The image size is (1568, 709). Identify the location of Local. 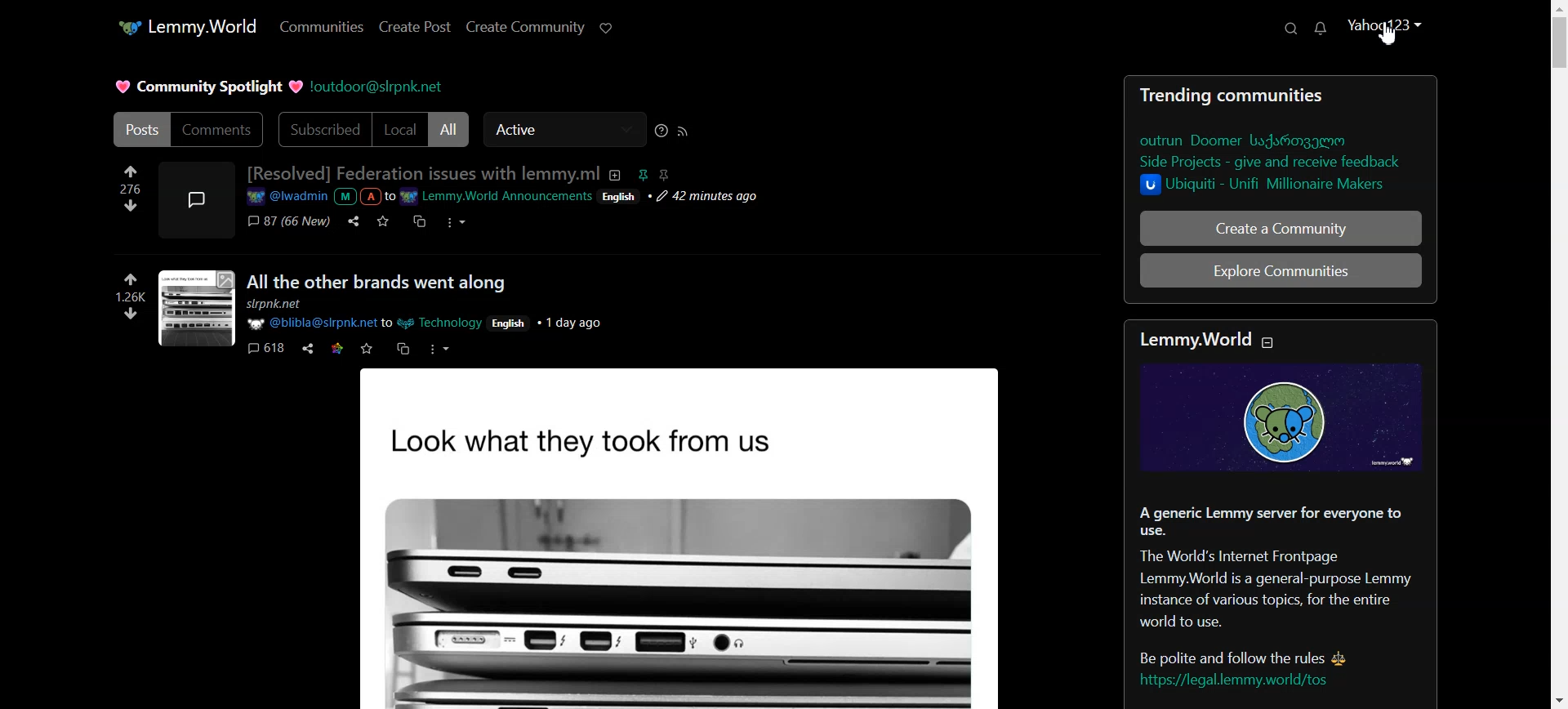
(399, 129).